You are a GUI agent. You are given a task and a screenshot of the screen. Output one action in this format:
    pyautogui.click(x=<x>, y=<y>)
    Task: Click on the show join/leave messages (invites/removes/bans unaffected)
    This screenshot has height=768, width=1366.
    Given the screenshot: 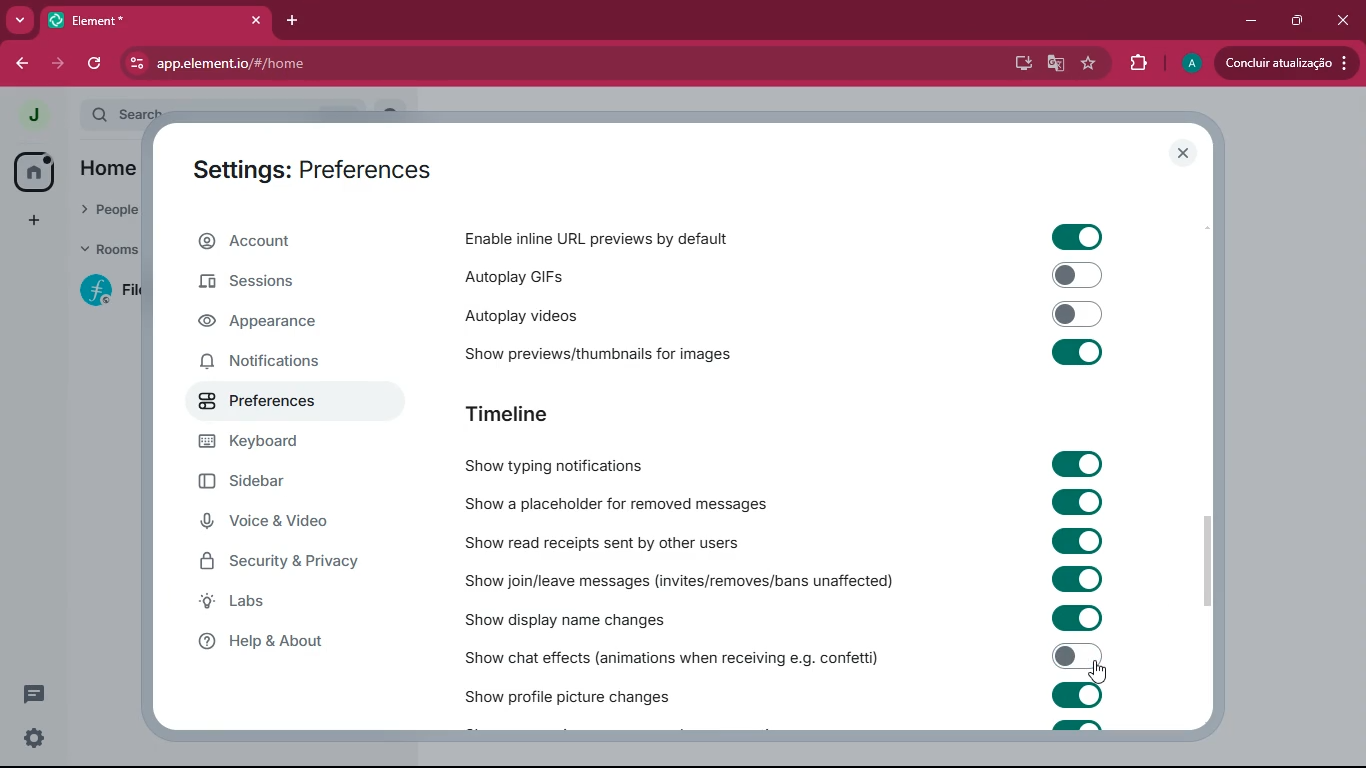 What is the action you would take?
    pyautogui.click(x=681, y=580)
    